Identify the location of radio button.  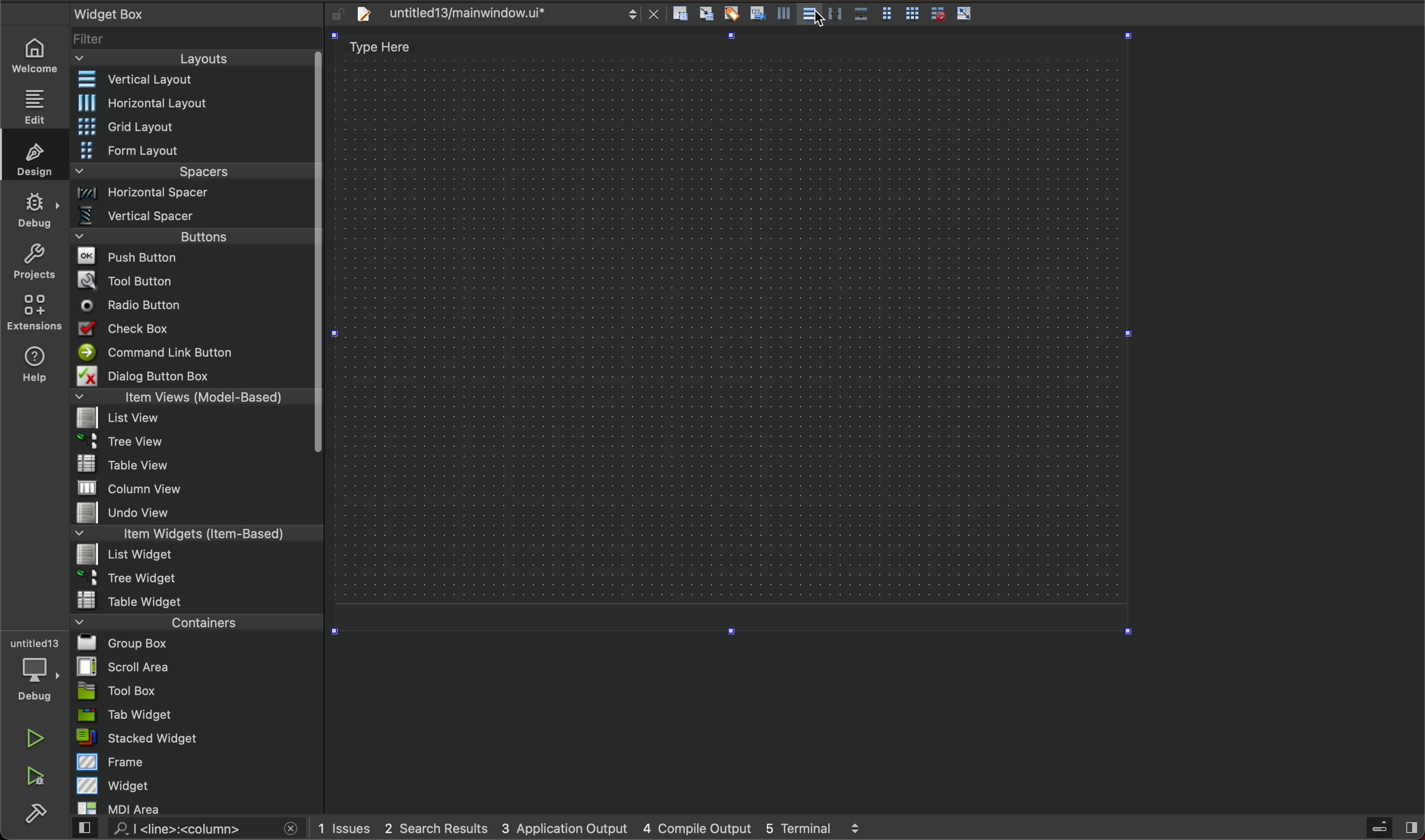
(191, 304).